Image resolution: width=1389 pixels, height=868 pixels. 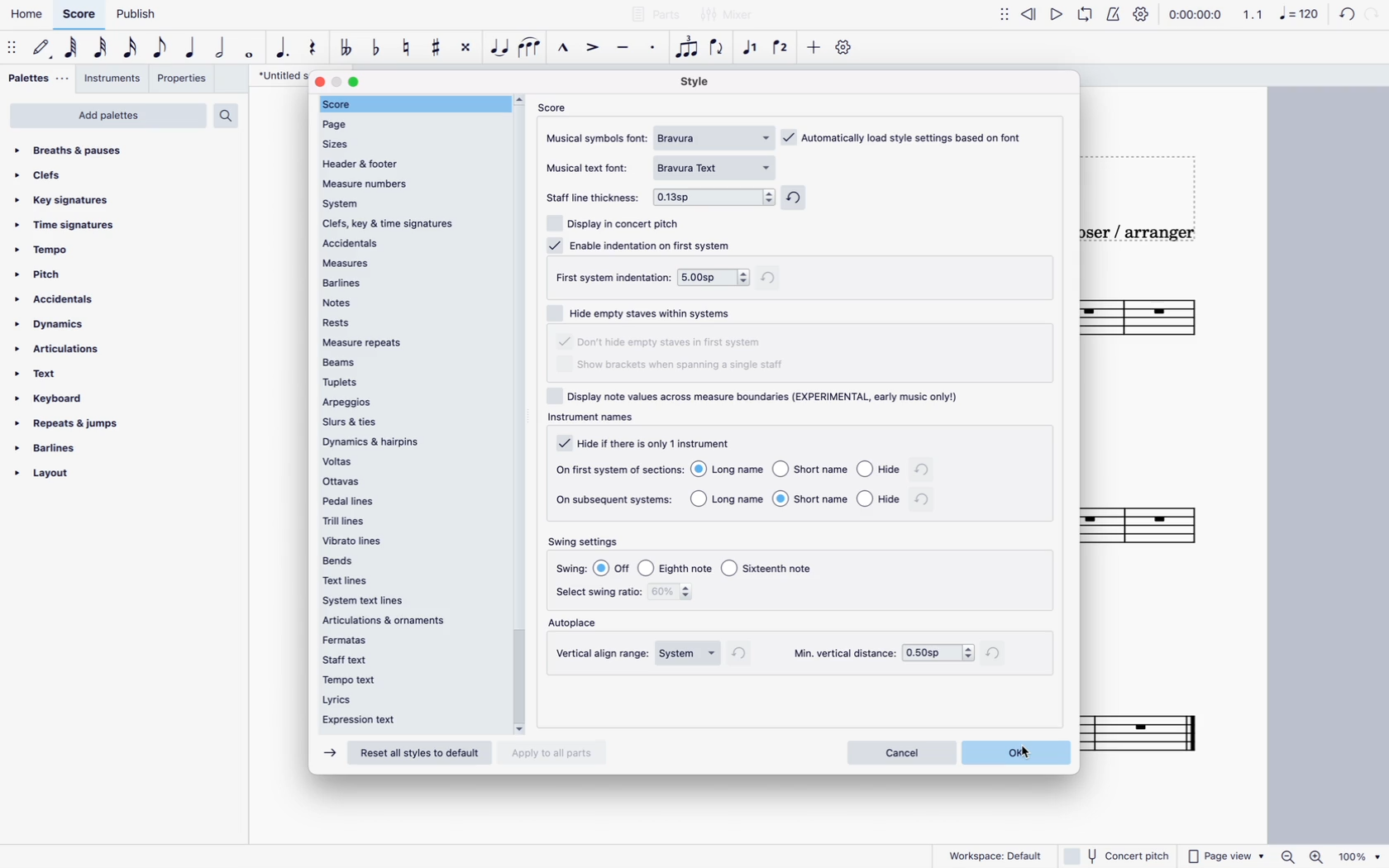 What do you see at coordinates (412, 540) in the screenshot?
I see `vibrato lines` at bounding box center [412, 540].